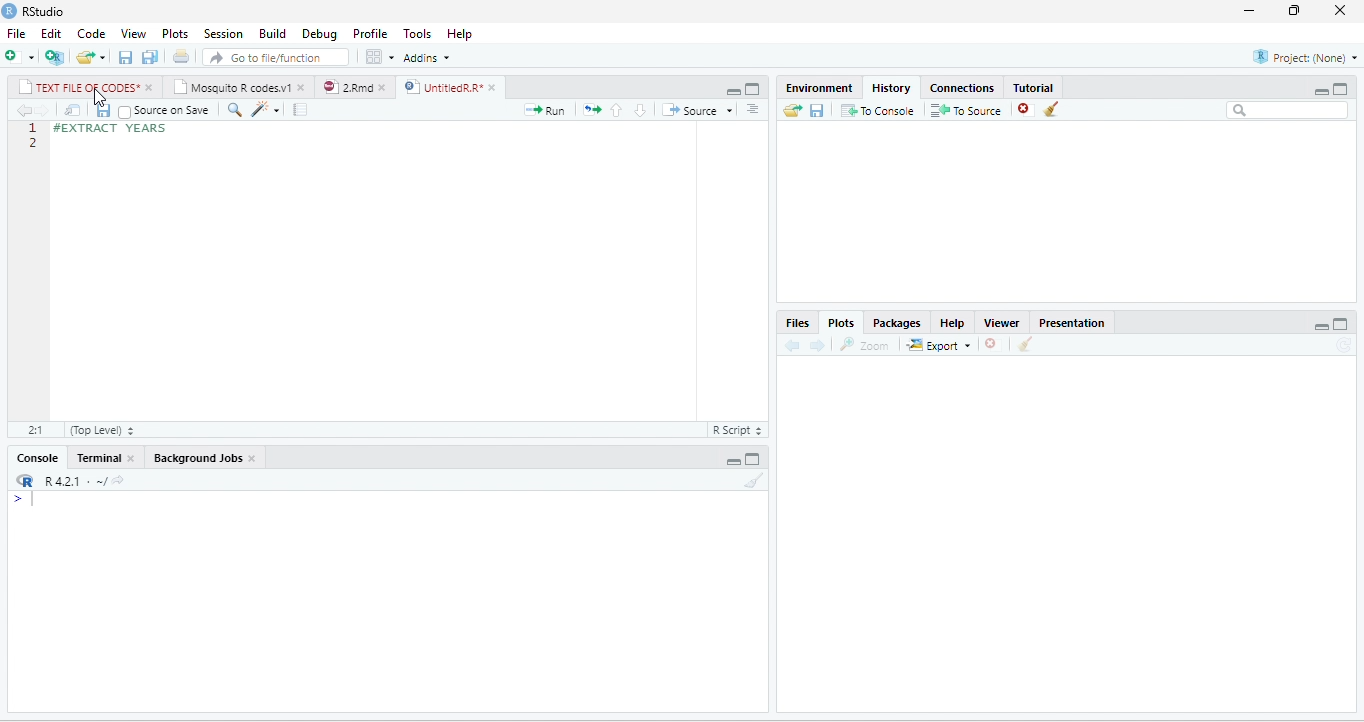 The width and height of the screenshot is (1364, 722). Describe the element at coordinates (149, 56) in the screenshot. I see `save all` at that location.